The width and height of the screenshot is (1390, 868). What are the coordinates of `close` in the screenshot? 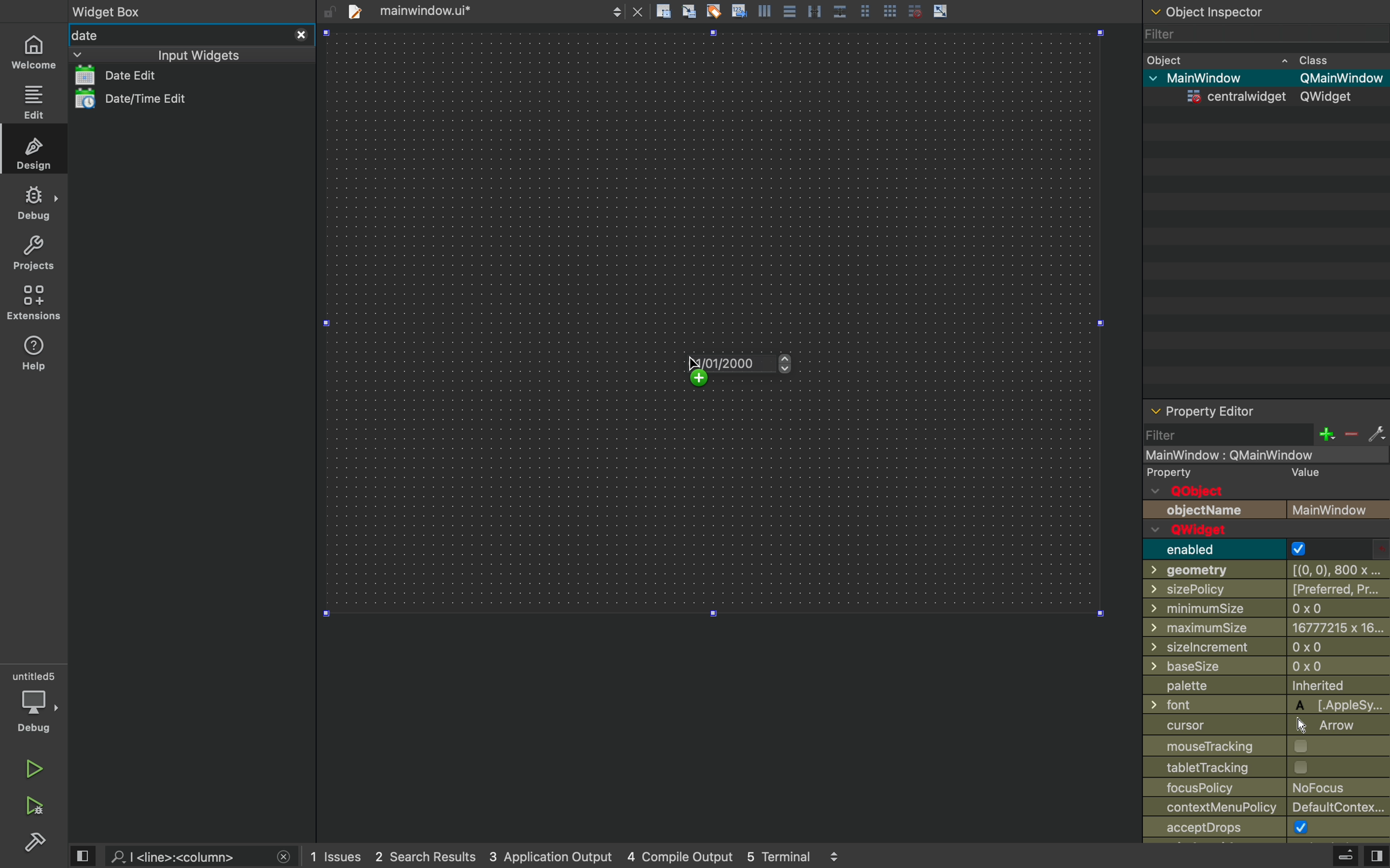 It's located at (302, 35).